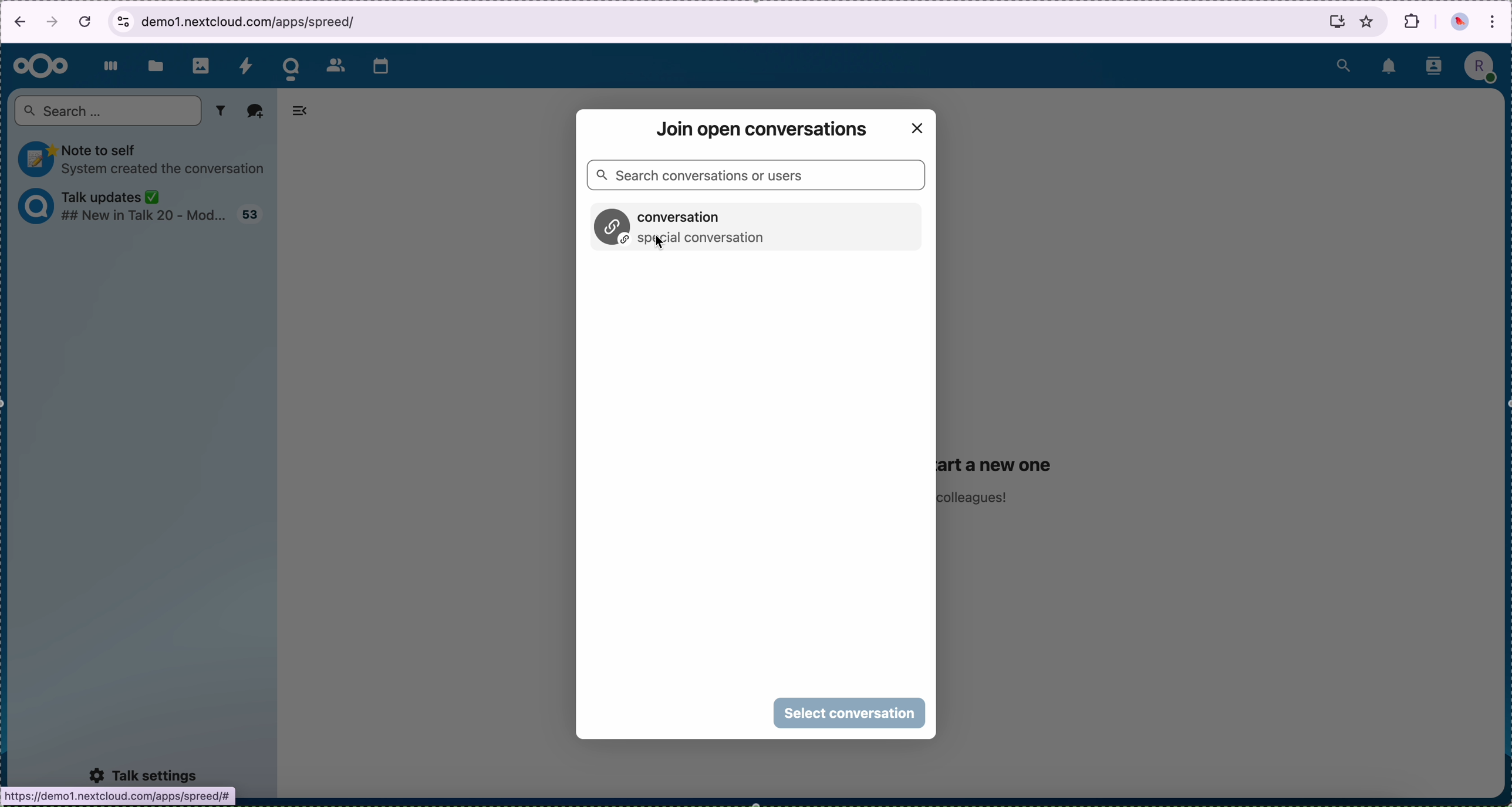  I want to click on contacts, so click(333, 63).